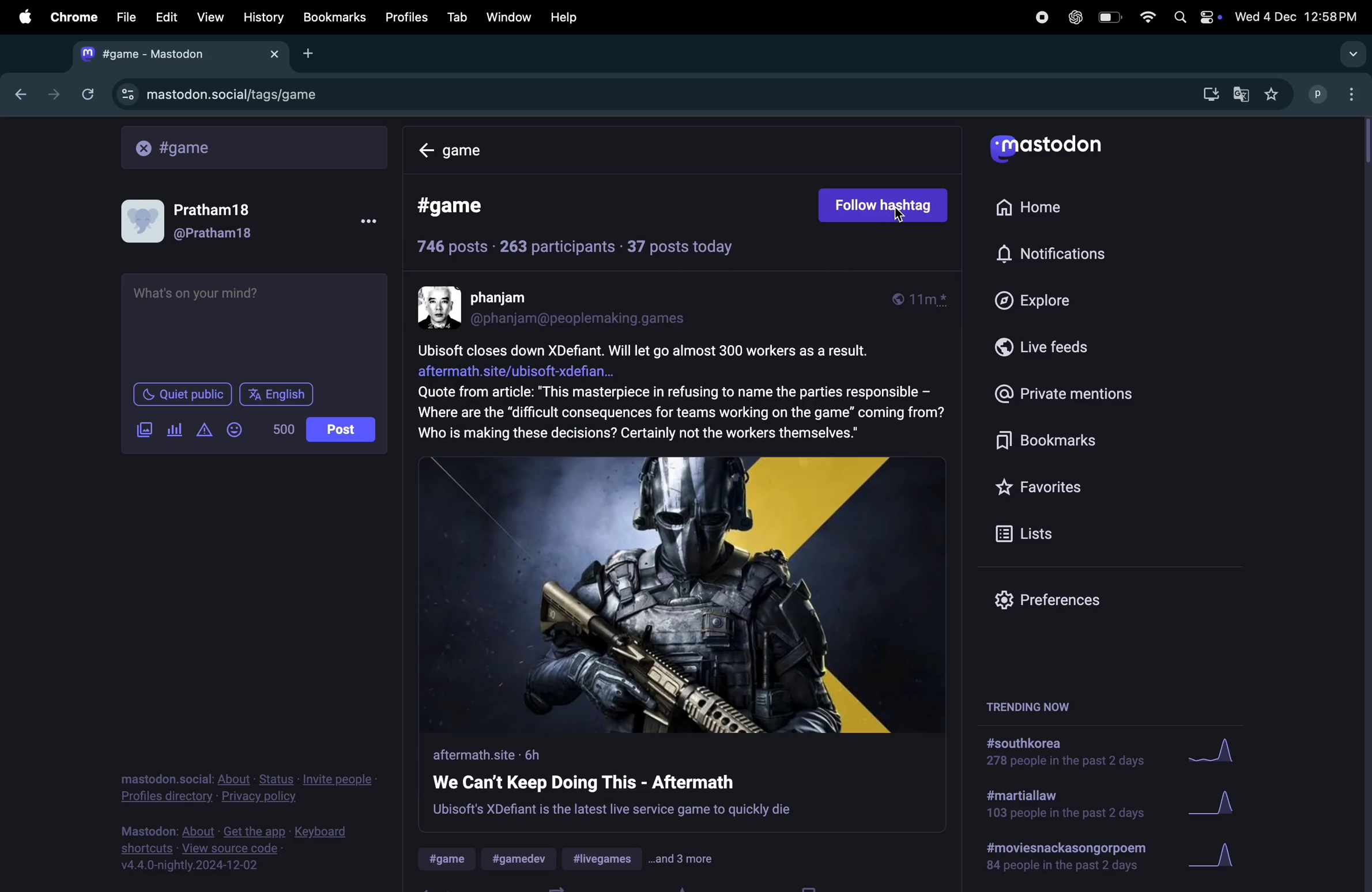 This screenshot has width=1372, height=892. What do you see at coordinates (341, 428) in the screenshot?
I see `post` at bounding box center [341, 428].